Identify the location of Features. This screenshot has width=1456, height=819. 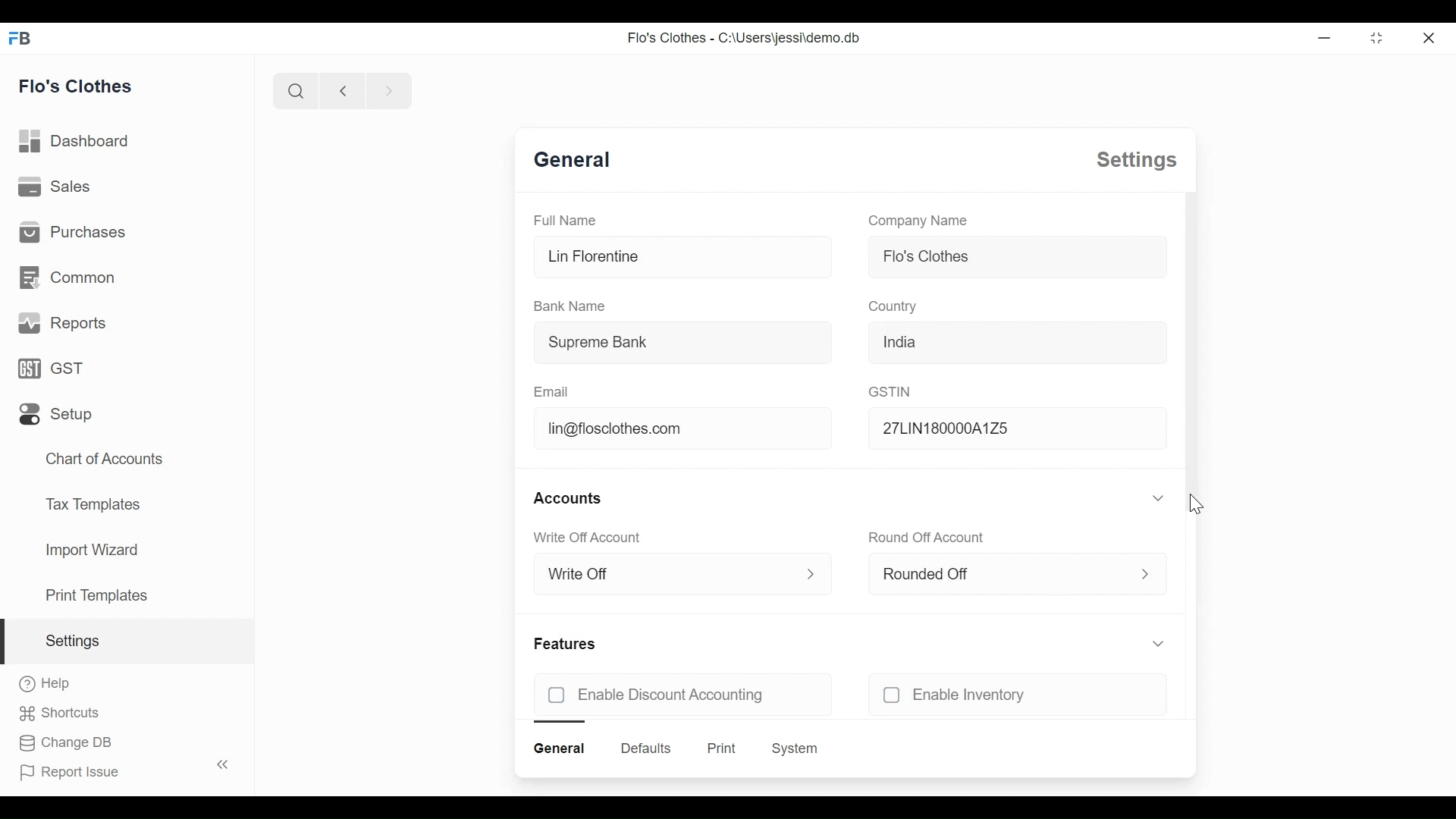
(566, 644).